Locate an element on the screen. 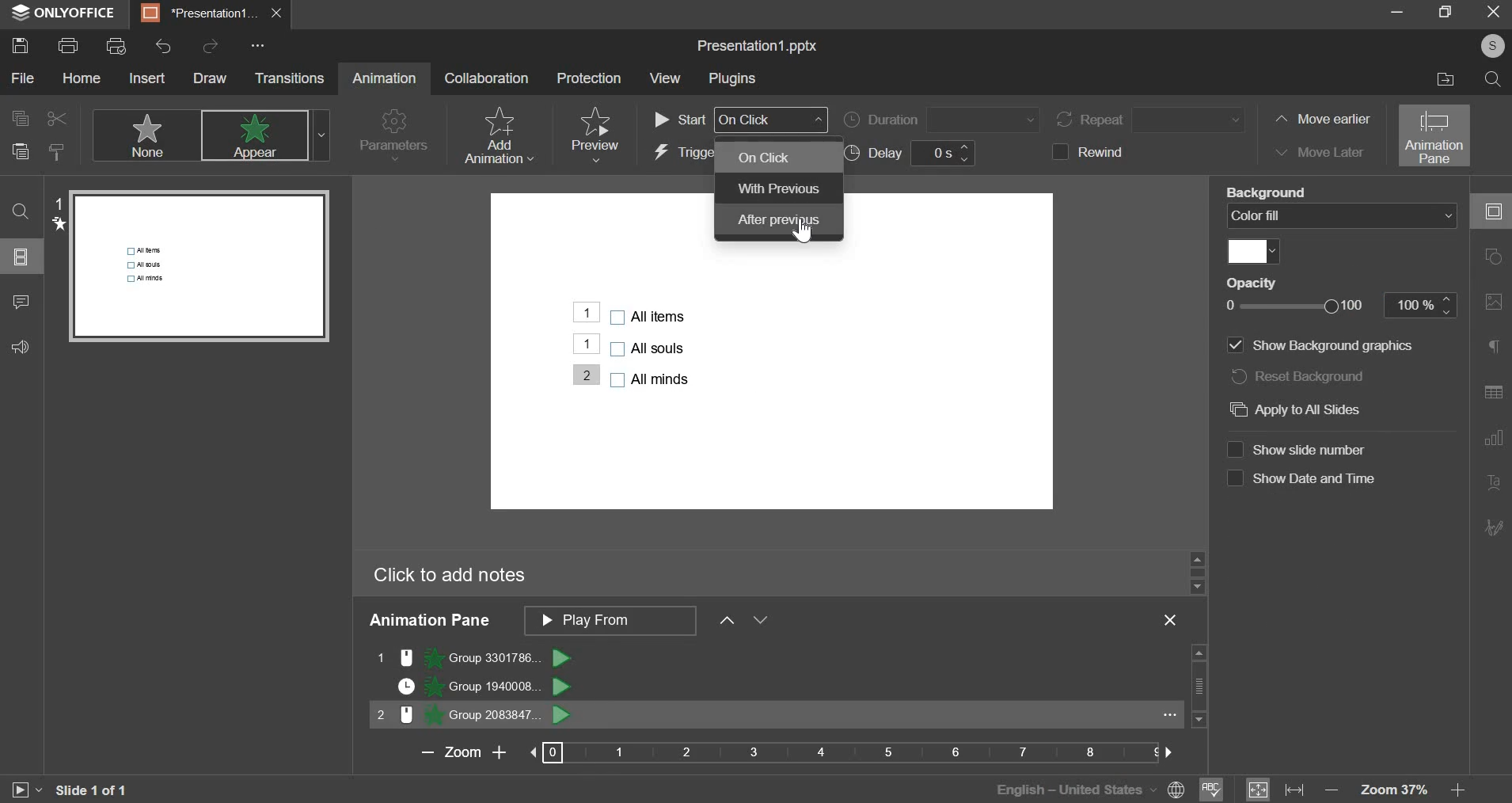 Image resolution: width=1512 pixels, height=803 pixels. exit is located at coordinates (277, 13).